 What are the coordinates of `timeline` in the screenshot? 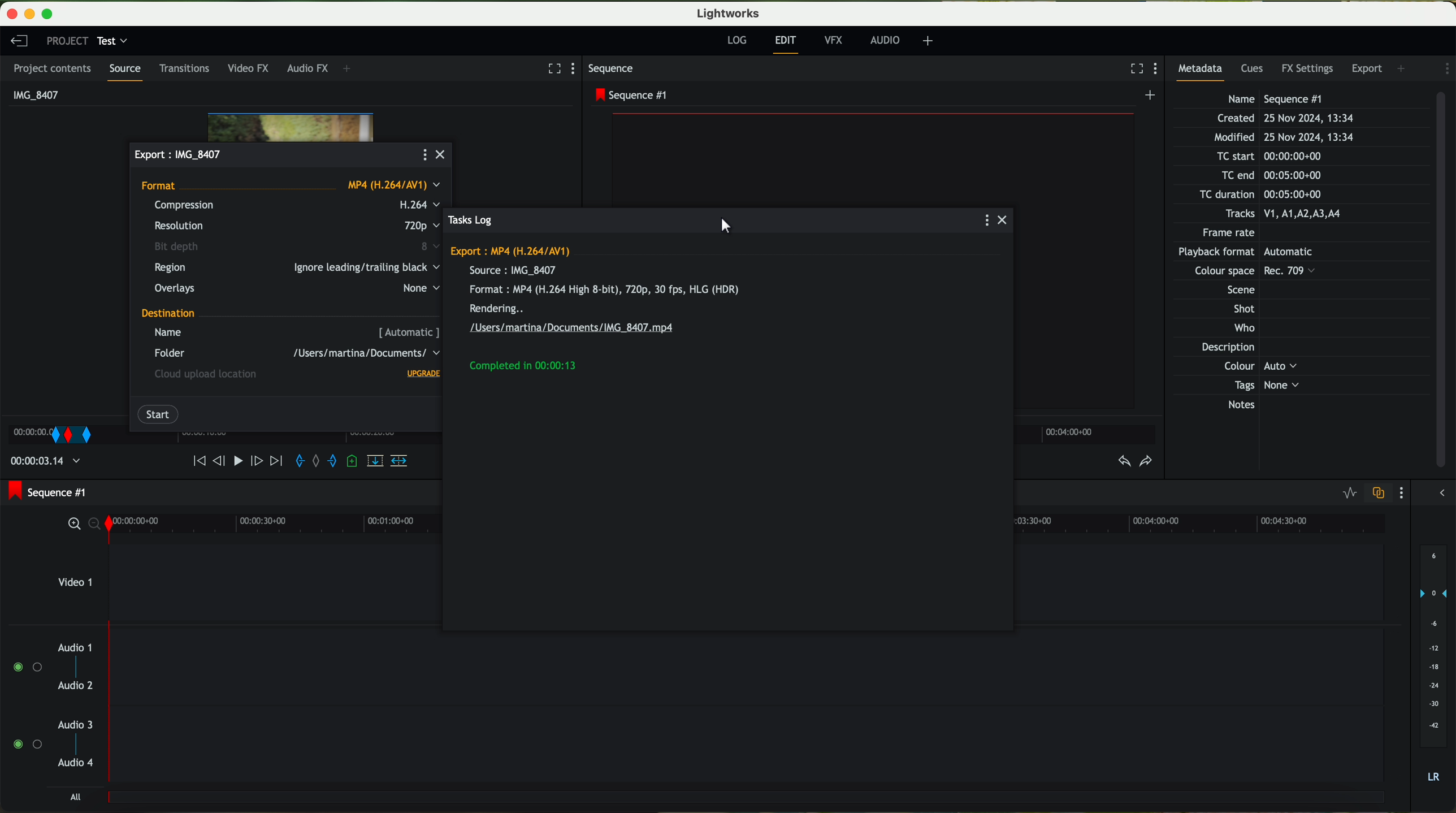 It's located at (872, 434).